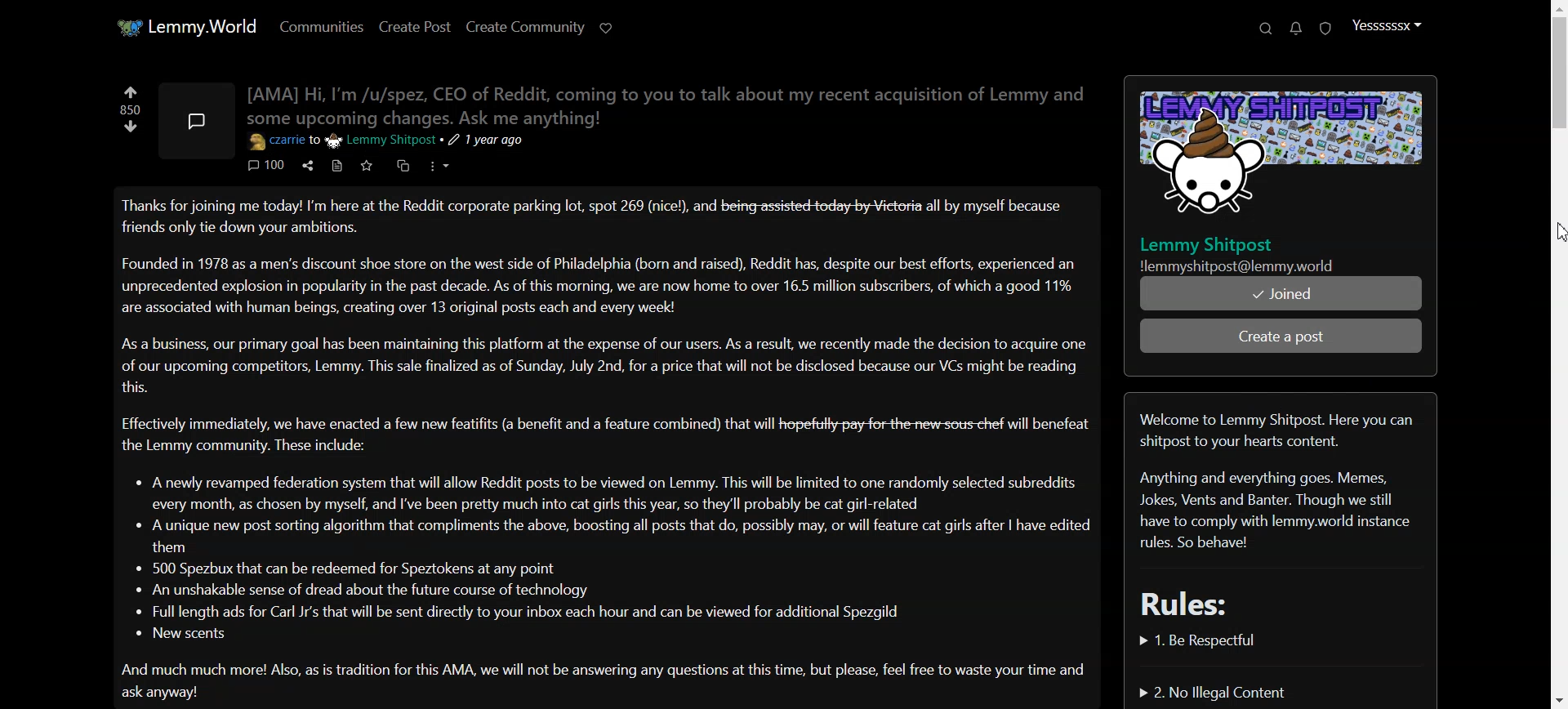 This screenshot has height=709, width=1568. What do you see at coordinates (1282, 514) in the screenshot?
I see `Text` at bounding box center [1282, 514].